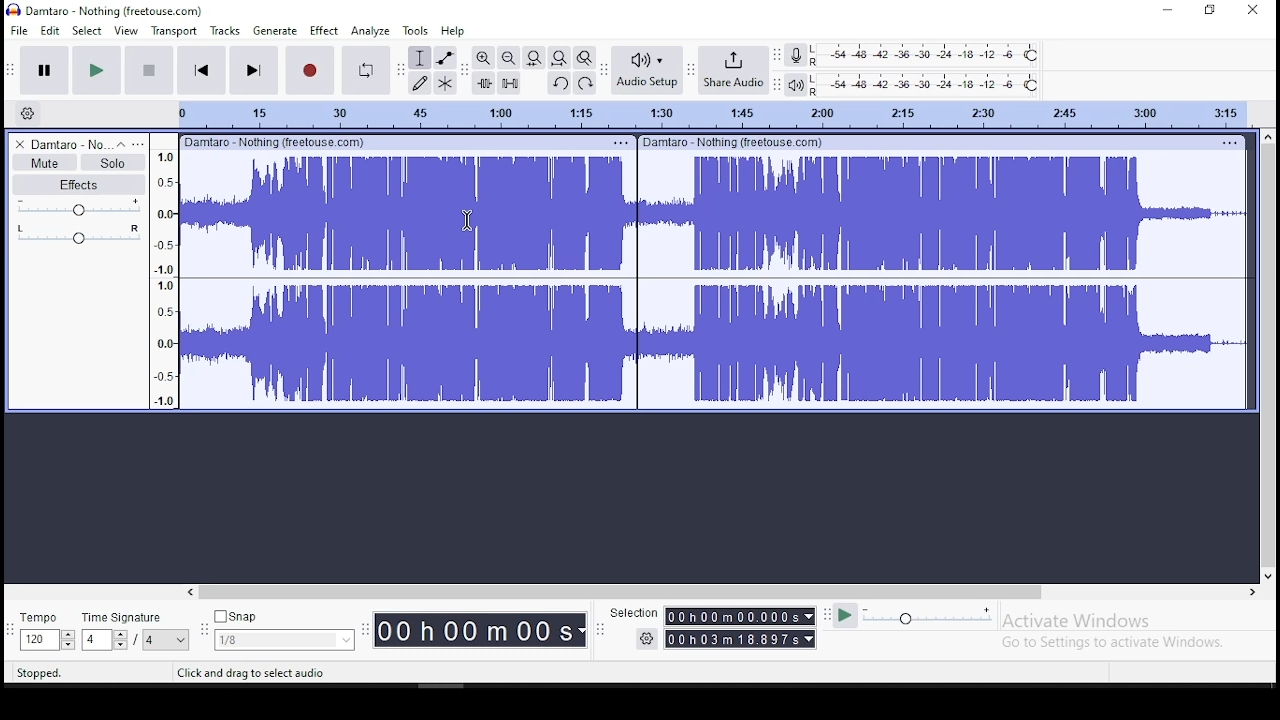 This screenshot has height=720, width=1280. Describe the element at coordinates (734, 142) in the screenshot. I see `Damtaro-Nothing (freehouse.com)` at that location.